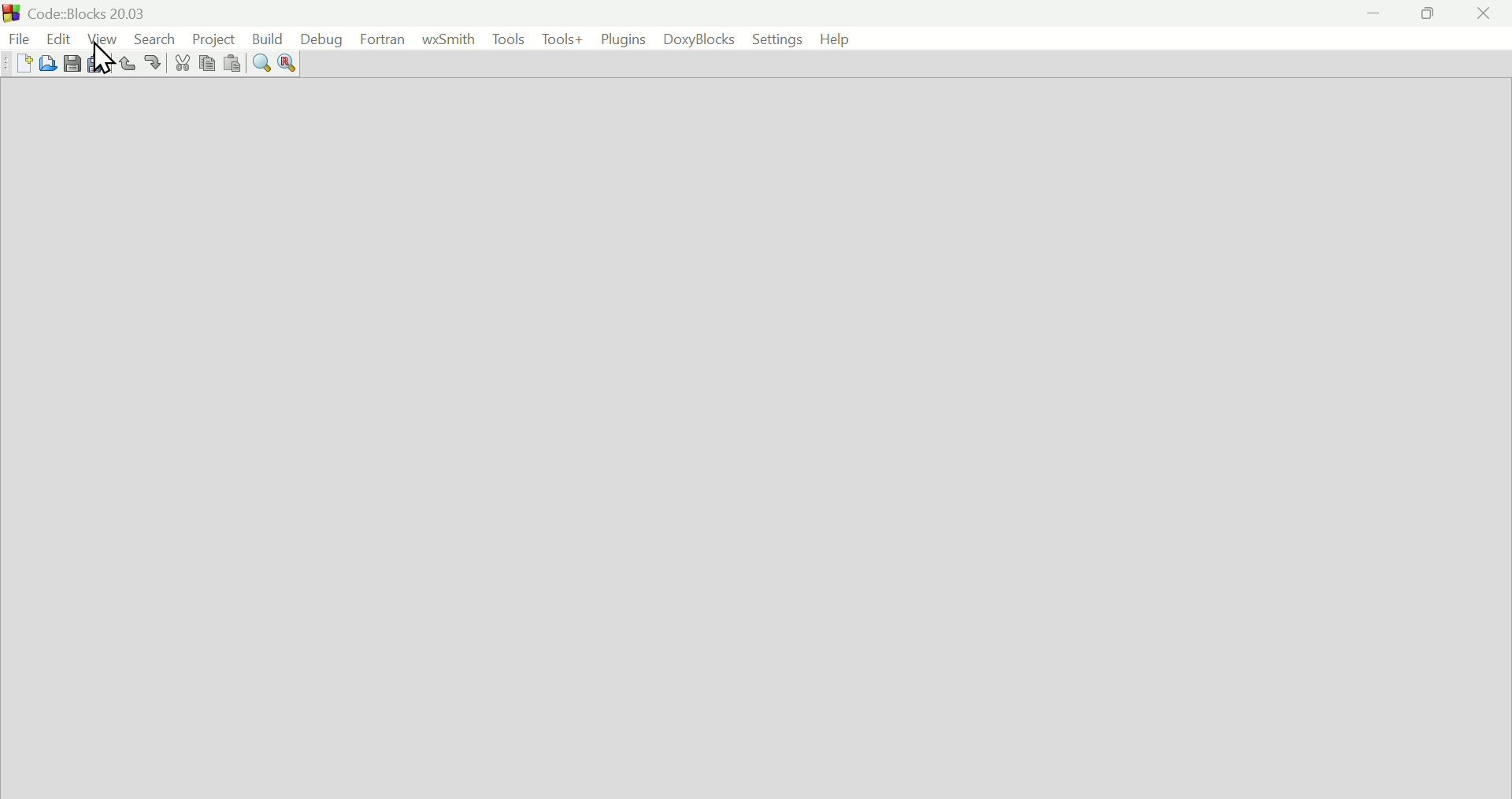 This screenshot has width=1512, height=799. Describe the element at coordinates (103, 38) in the screenshot. I see `View` at that location.